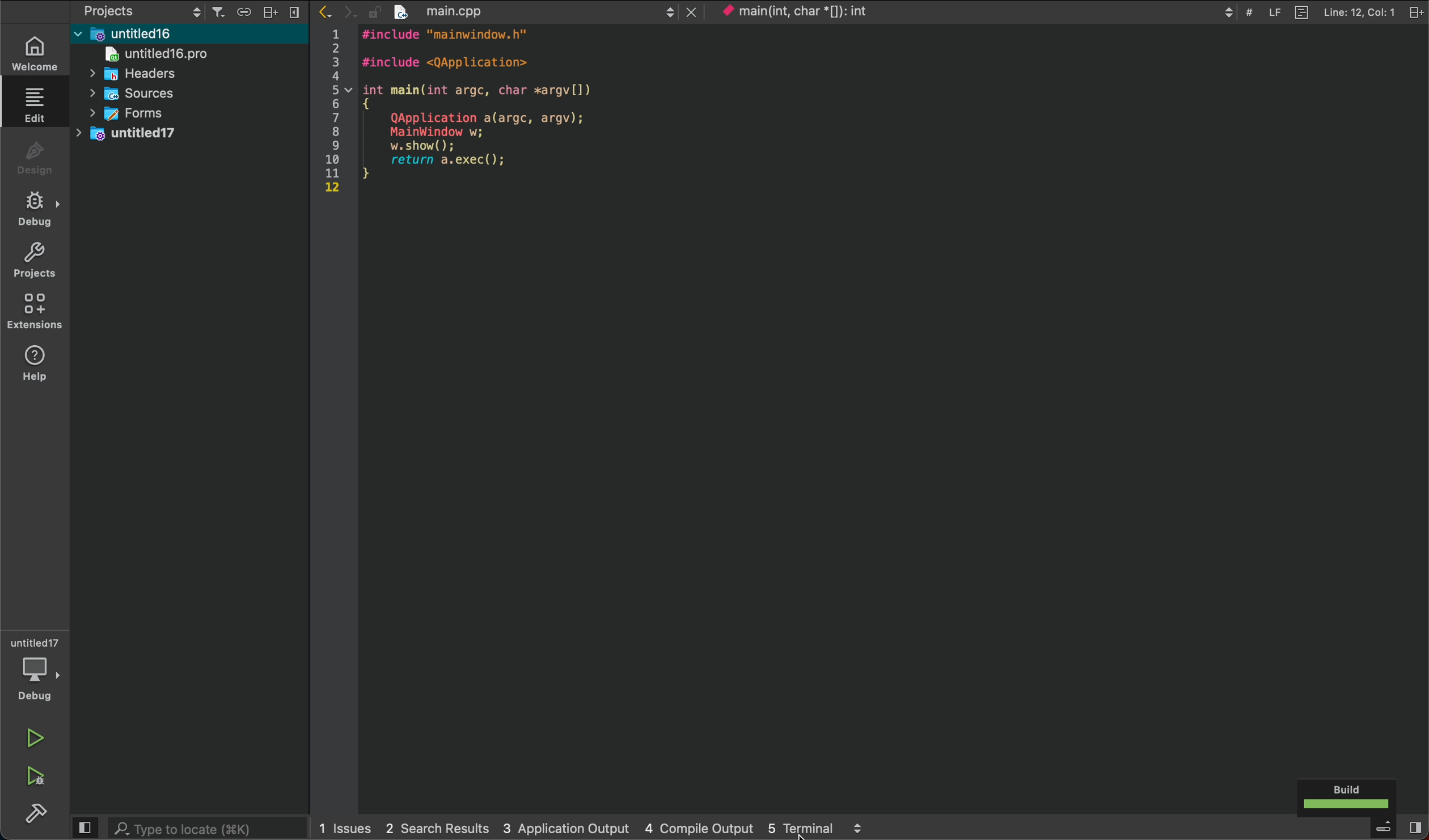 The image size is (1429, 840). I want to click on Application Output, so click(564, 827).